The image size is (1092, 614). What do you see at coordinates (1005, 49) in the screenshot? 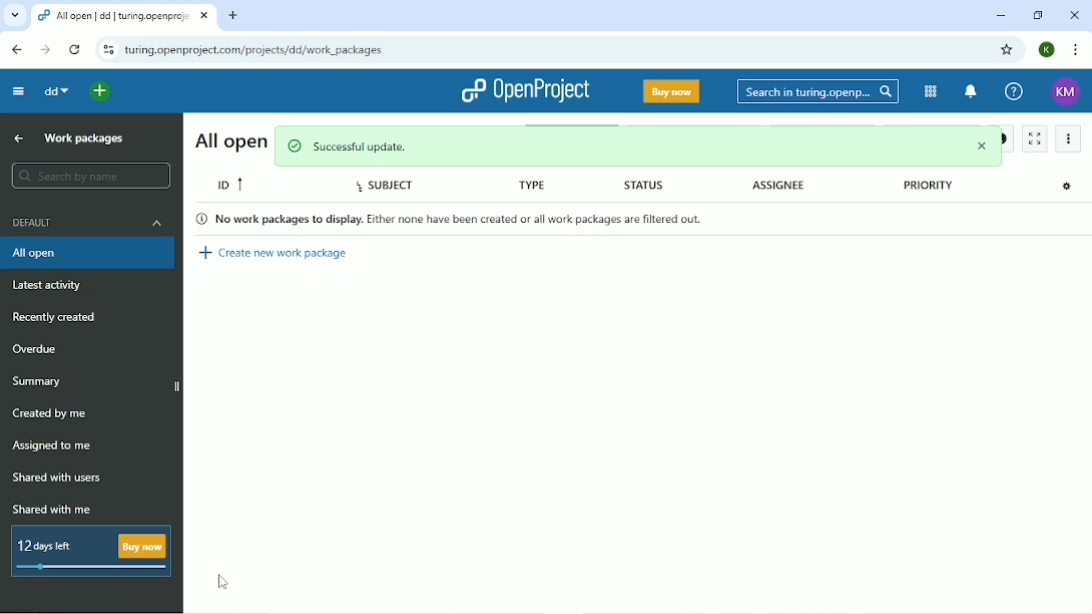
I see `Bookmark this tab` at bounding box center [1005, 49].